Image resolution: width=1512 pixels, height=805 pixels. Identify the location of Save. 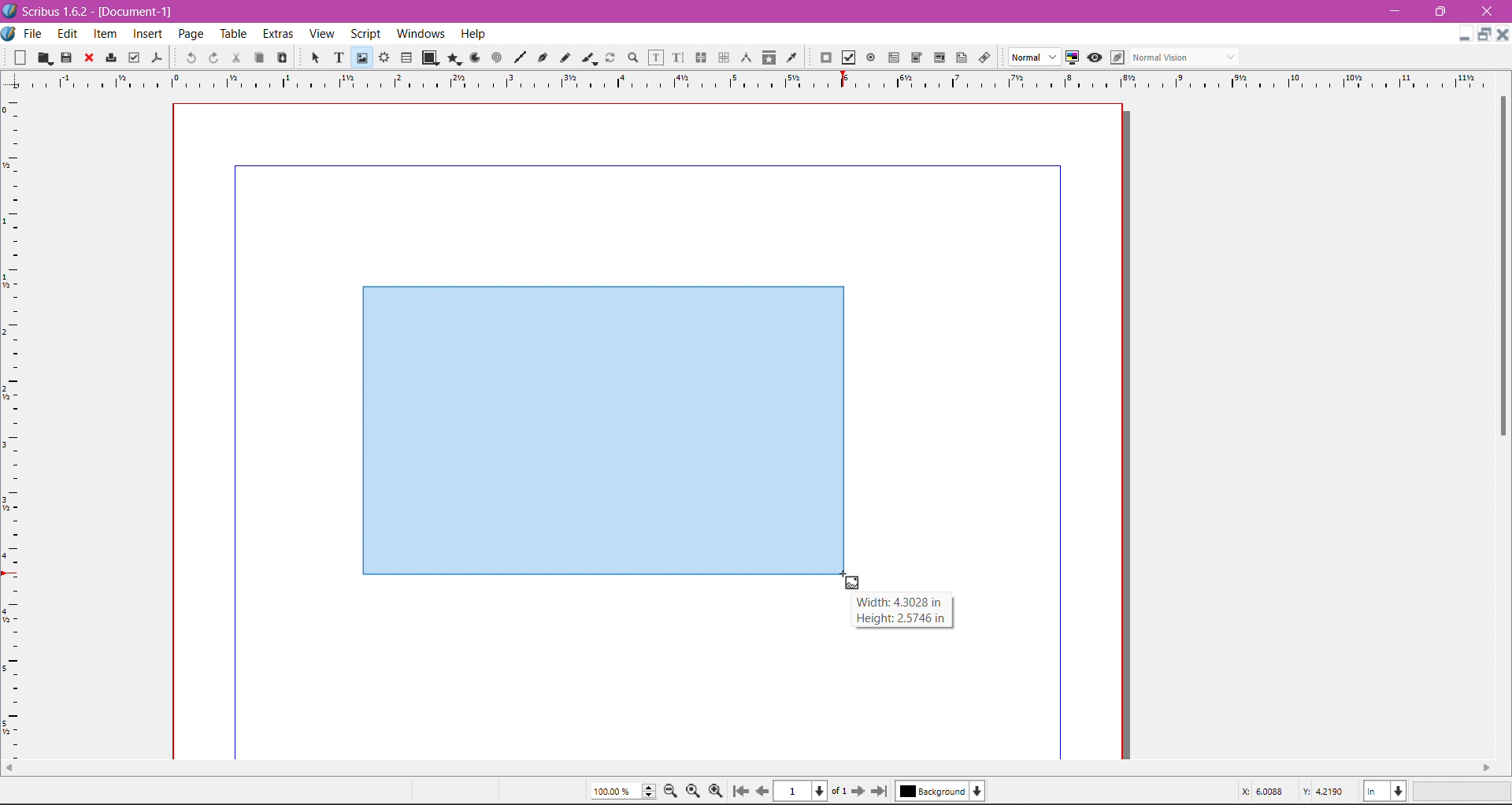
(67, 57).